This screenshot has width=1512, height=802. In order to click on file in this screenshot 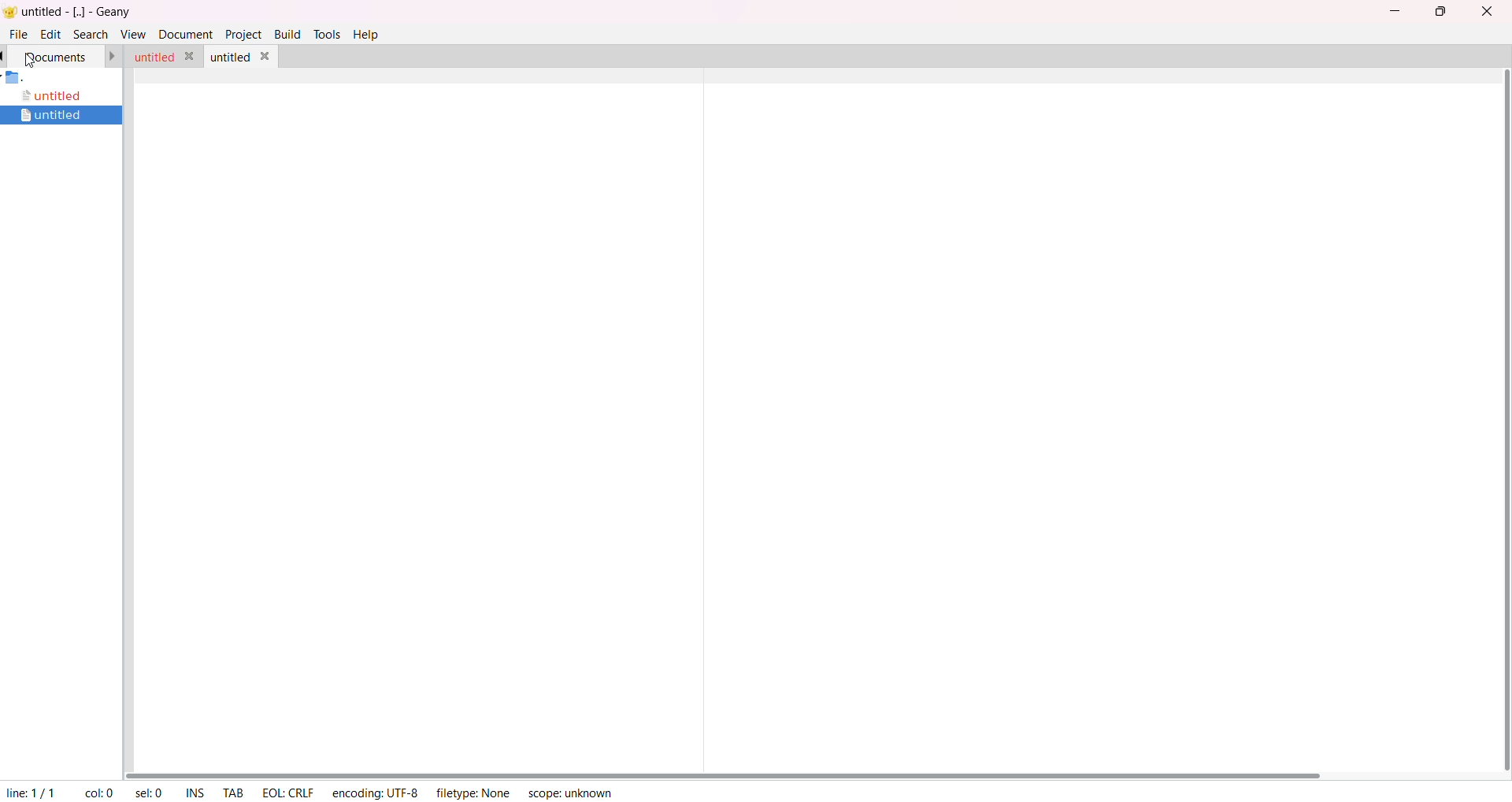, I will do `click(19, 34)`.